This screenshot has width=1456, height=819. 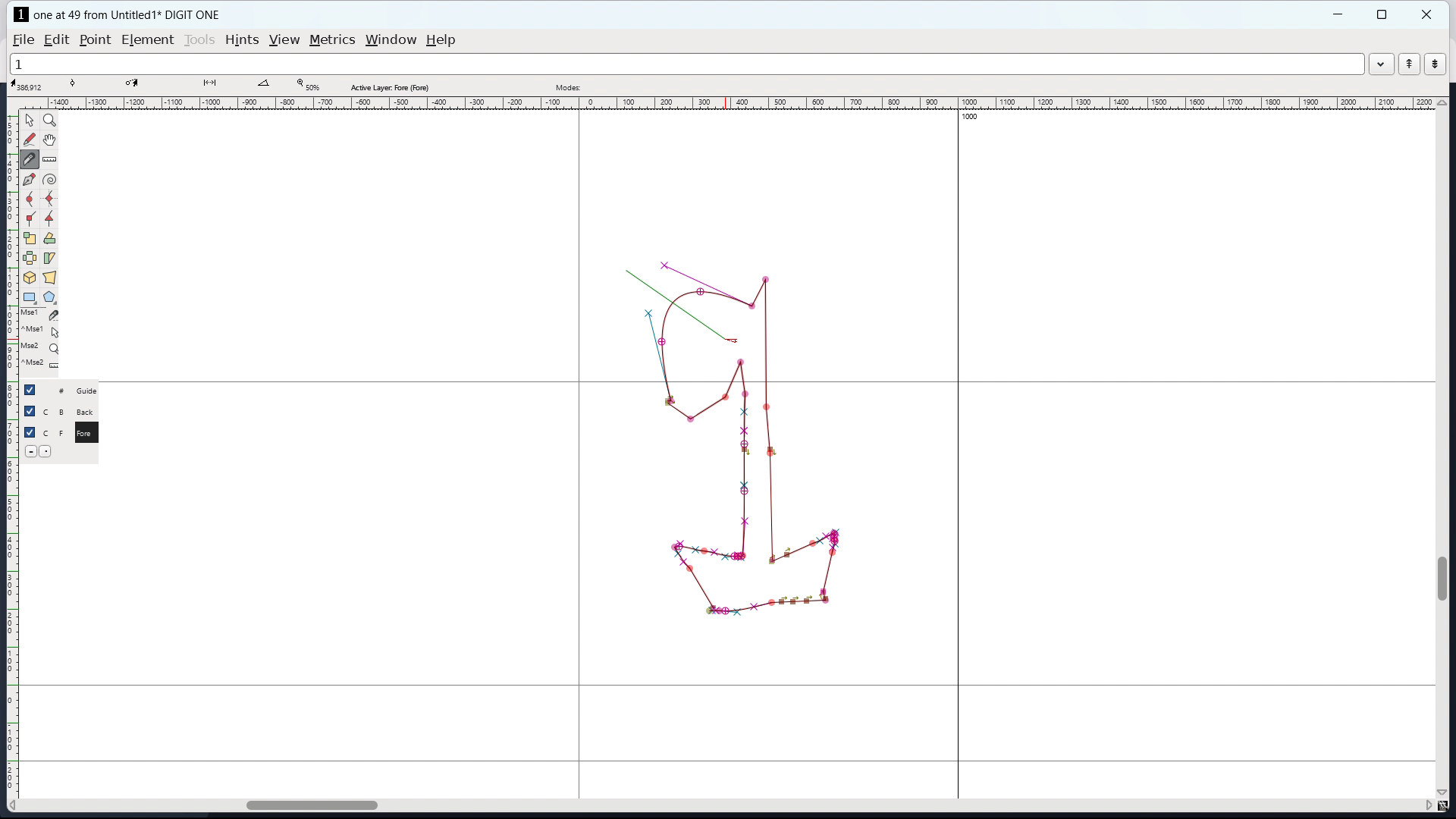 What do you see at coordinates (30, 390) in the screenshot?
I see `is layer visible` at bounding box center [30, 390].